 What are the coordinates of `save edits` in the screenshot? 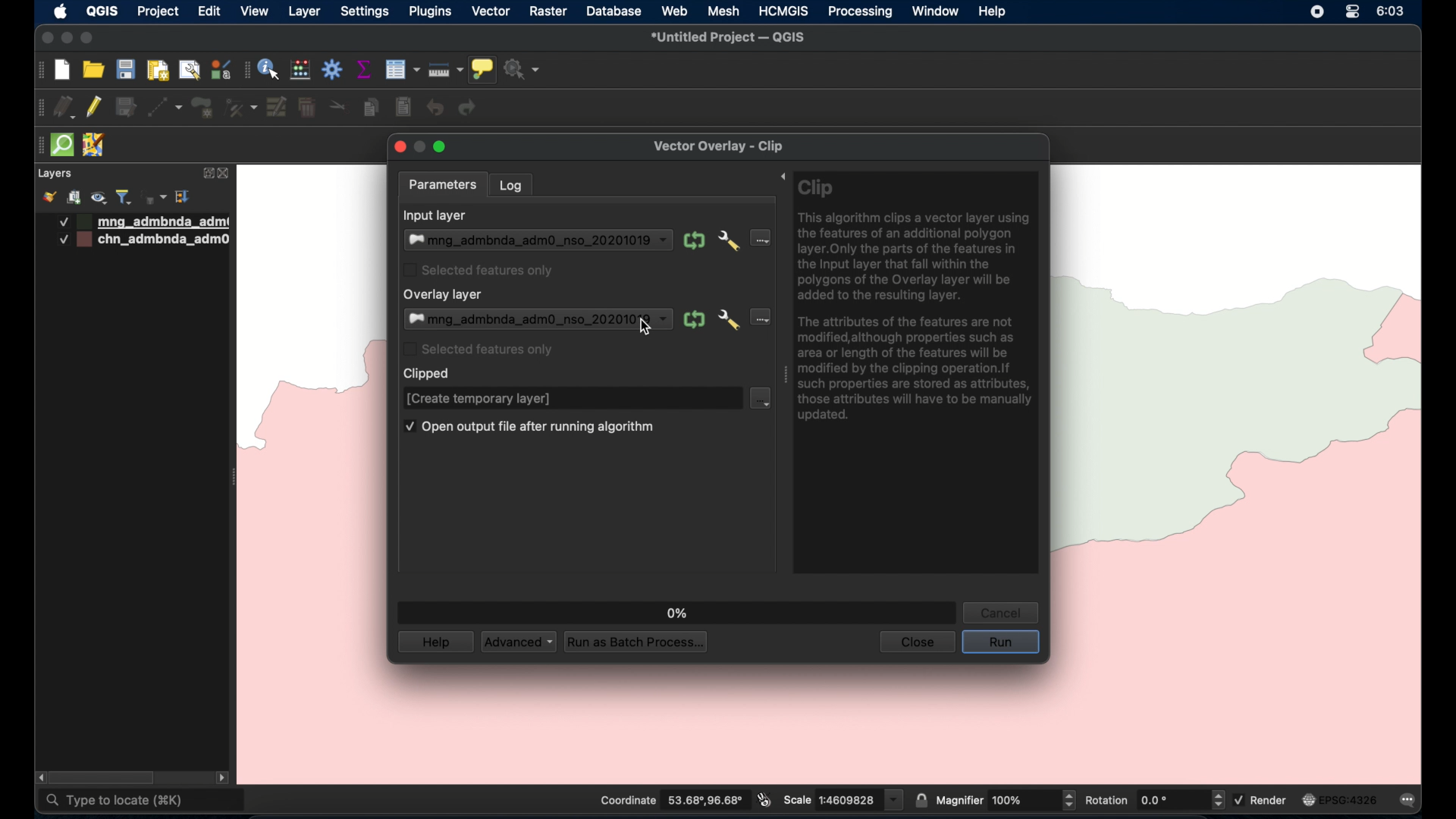 It's located at (127, 108).